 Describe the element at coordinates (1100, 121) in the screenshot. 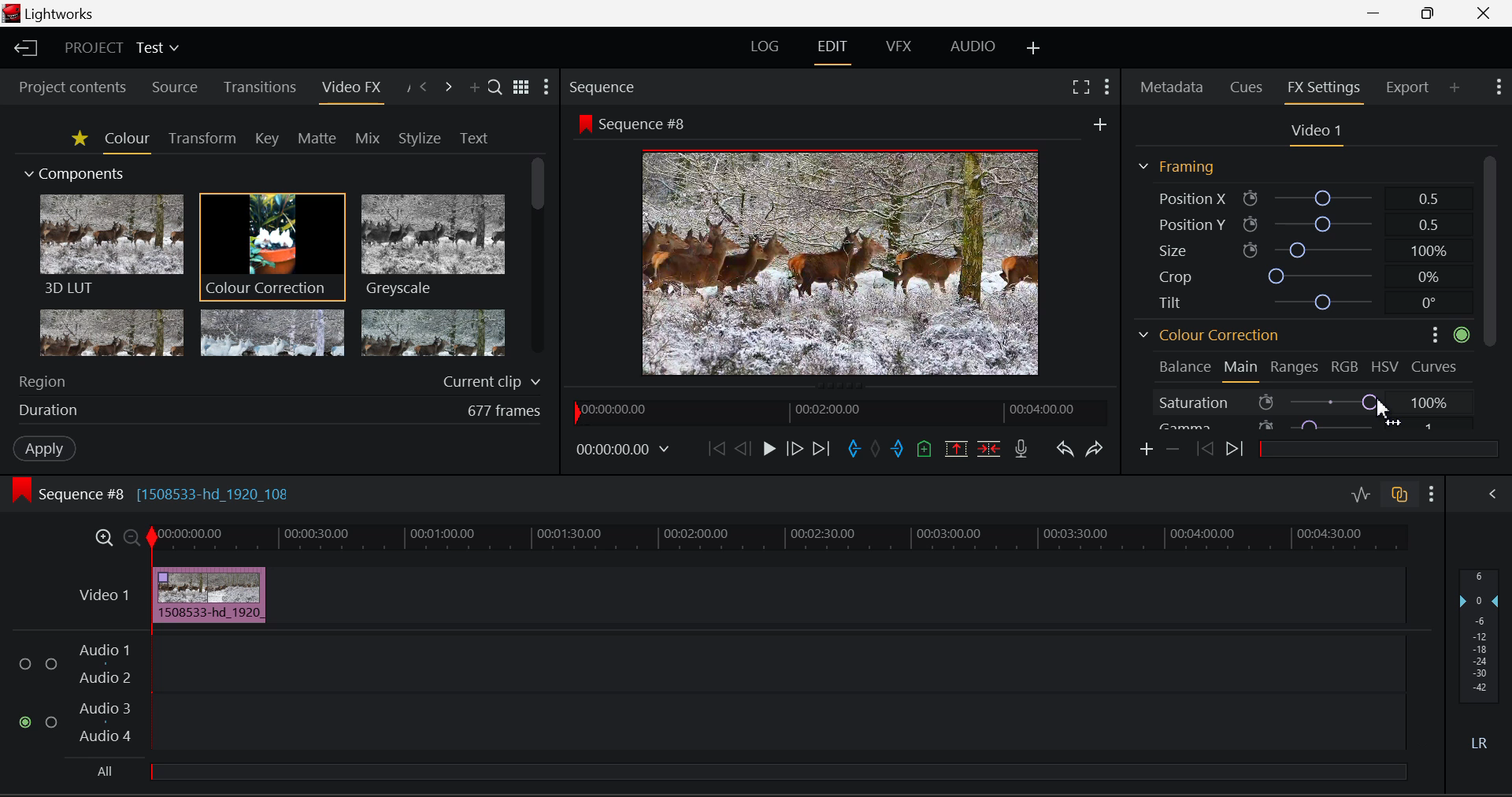

I see `add` at that location.